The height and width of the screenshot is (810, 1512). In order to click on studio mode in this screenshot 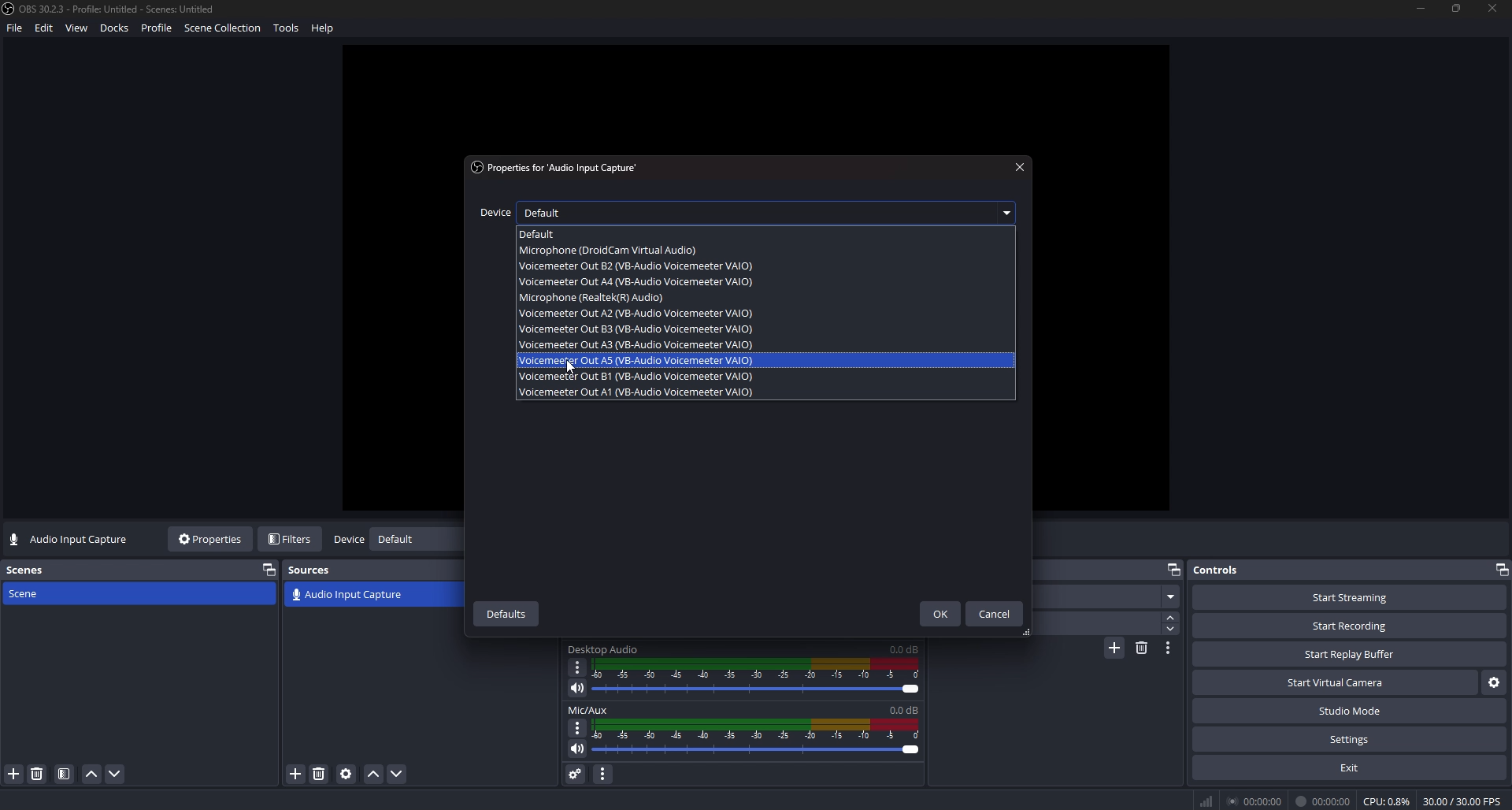, I will do `click(1350, 712)`.